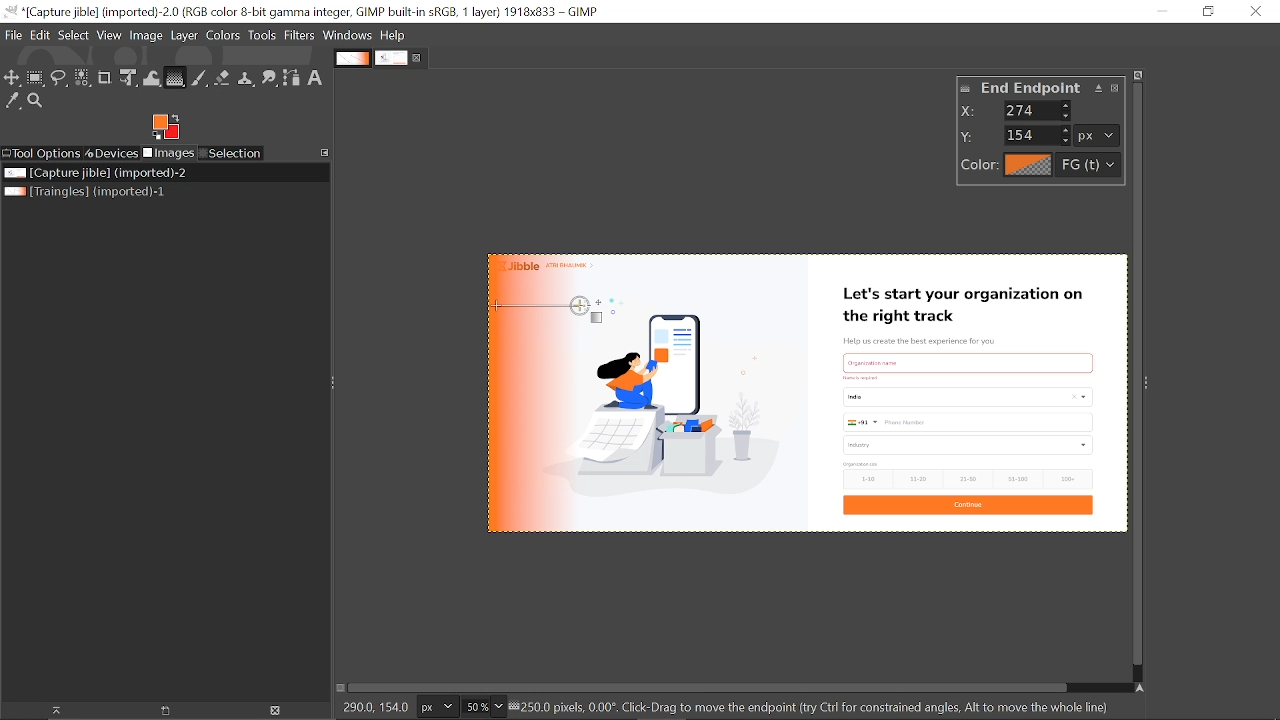  Describe the element at coordinates (1164, 12) in the screenshot. I see `Minimize` at that location.